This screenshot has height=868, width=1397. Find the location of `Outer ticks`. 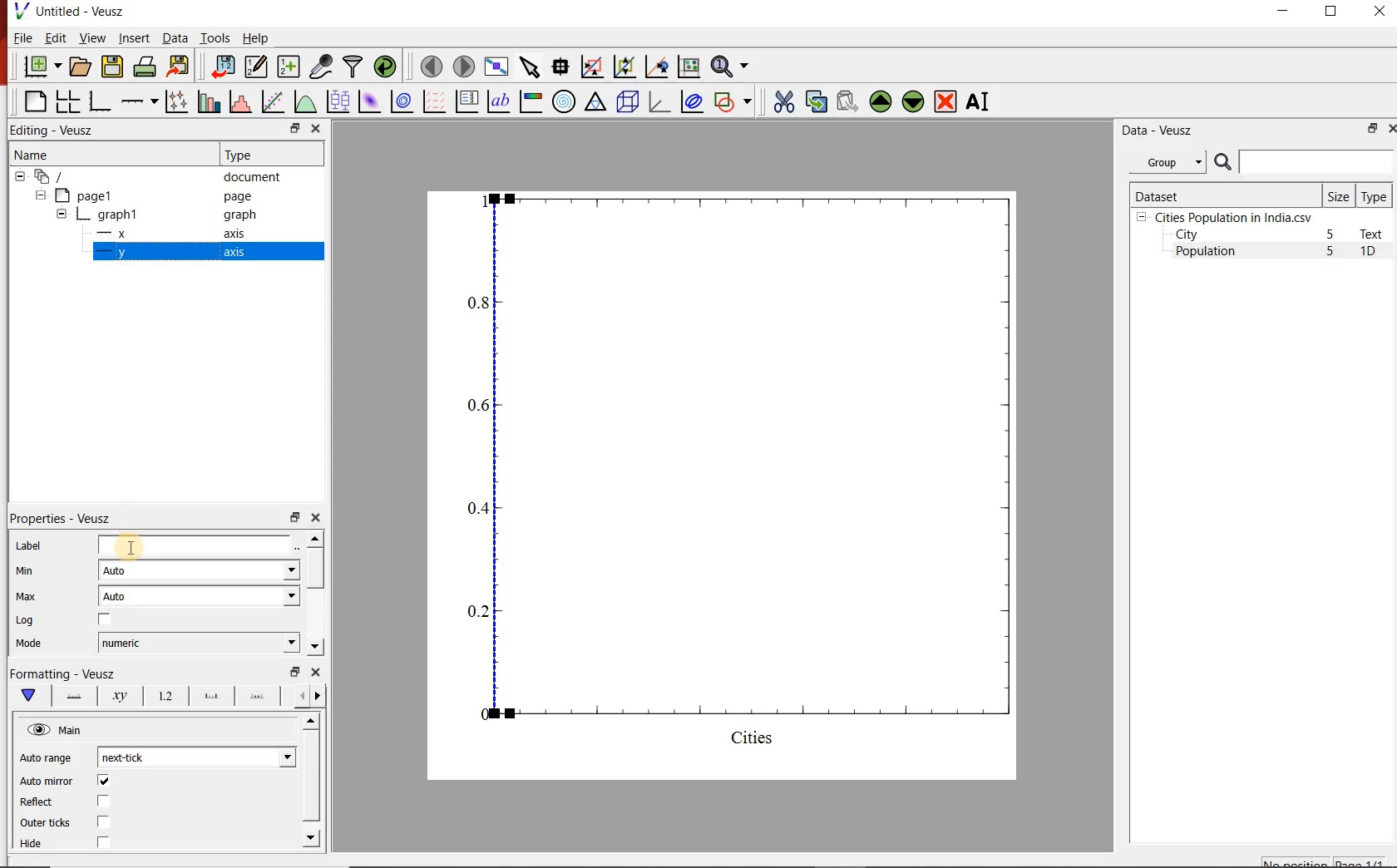

Outer ticks is located at coordinates (44, 822).